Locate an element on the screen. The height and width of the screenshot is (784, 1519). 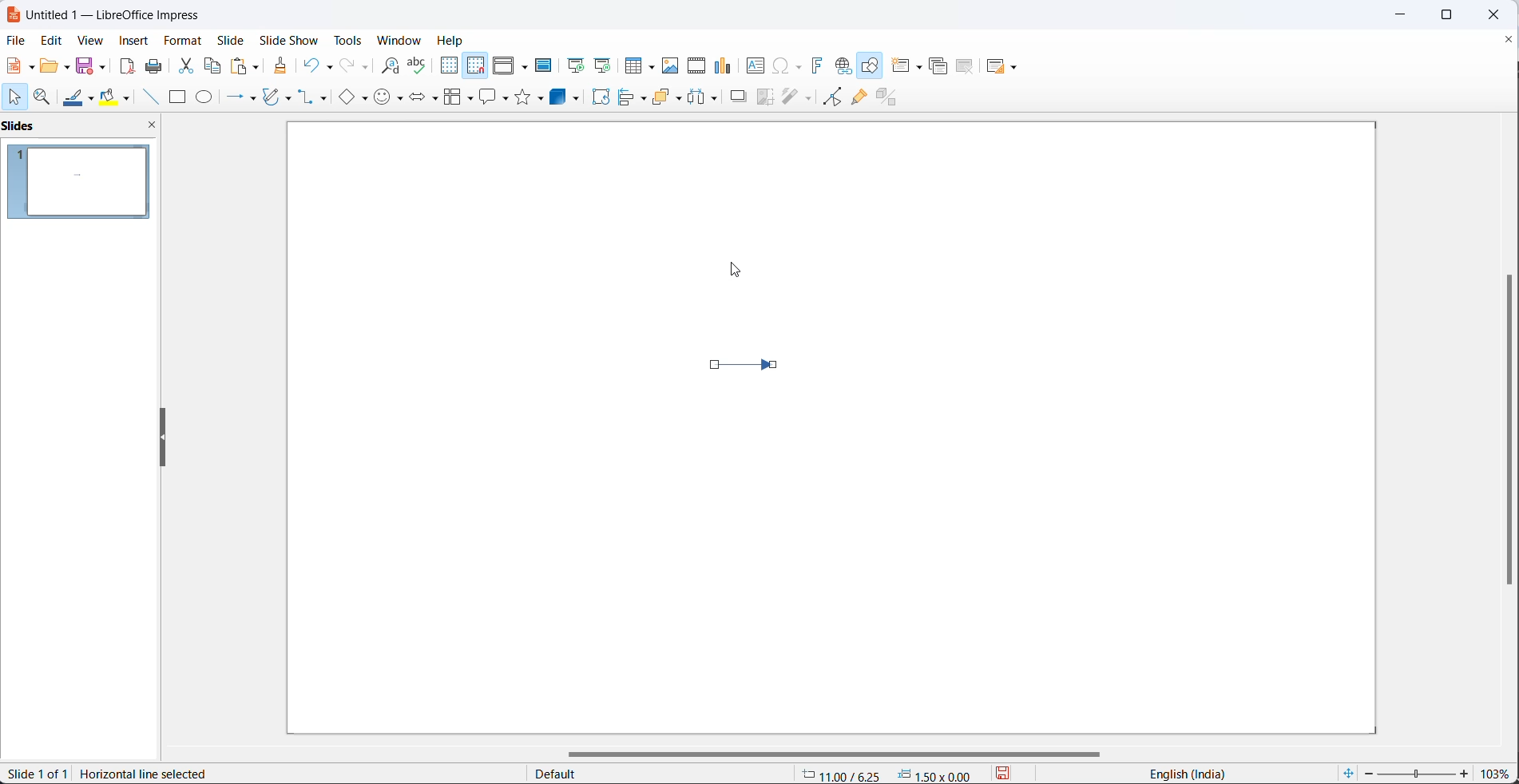
reszie is located at coordinates (160, 438).